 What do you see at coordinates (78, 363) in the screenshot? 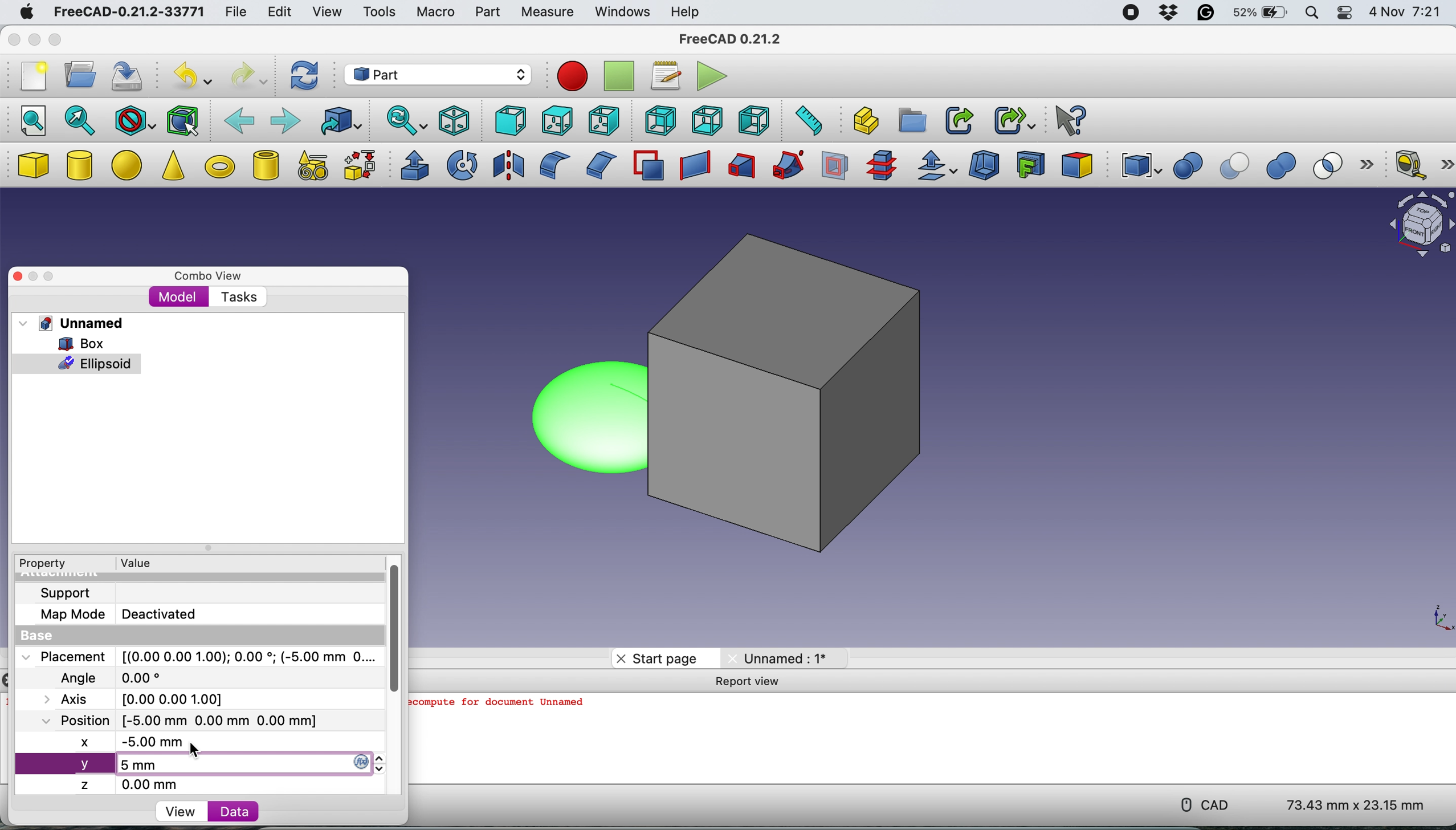
I see `ellpsoid` at bounding box center [78, 363].